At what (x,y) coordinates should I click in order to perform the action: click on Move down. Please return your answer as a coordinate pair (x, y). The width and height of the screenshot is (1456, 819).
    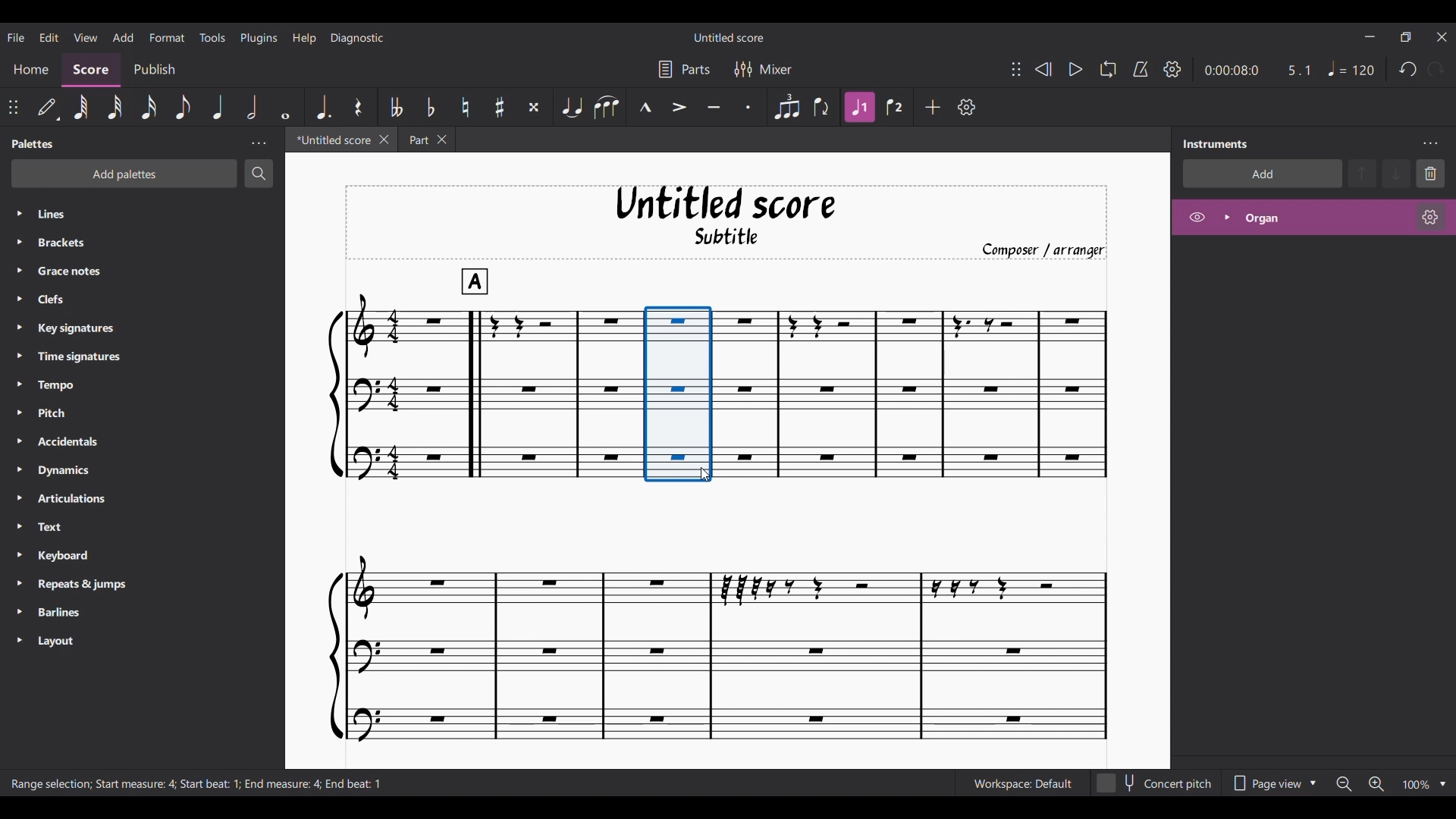
    Looking at the image, I should click on (1396, 173).